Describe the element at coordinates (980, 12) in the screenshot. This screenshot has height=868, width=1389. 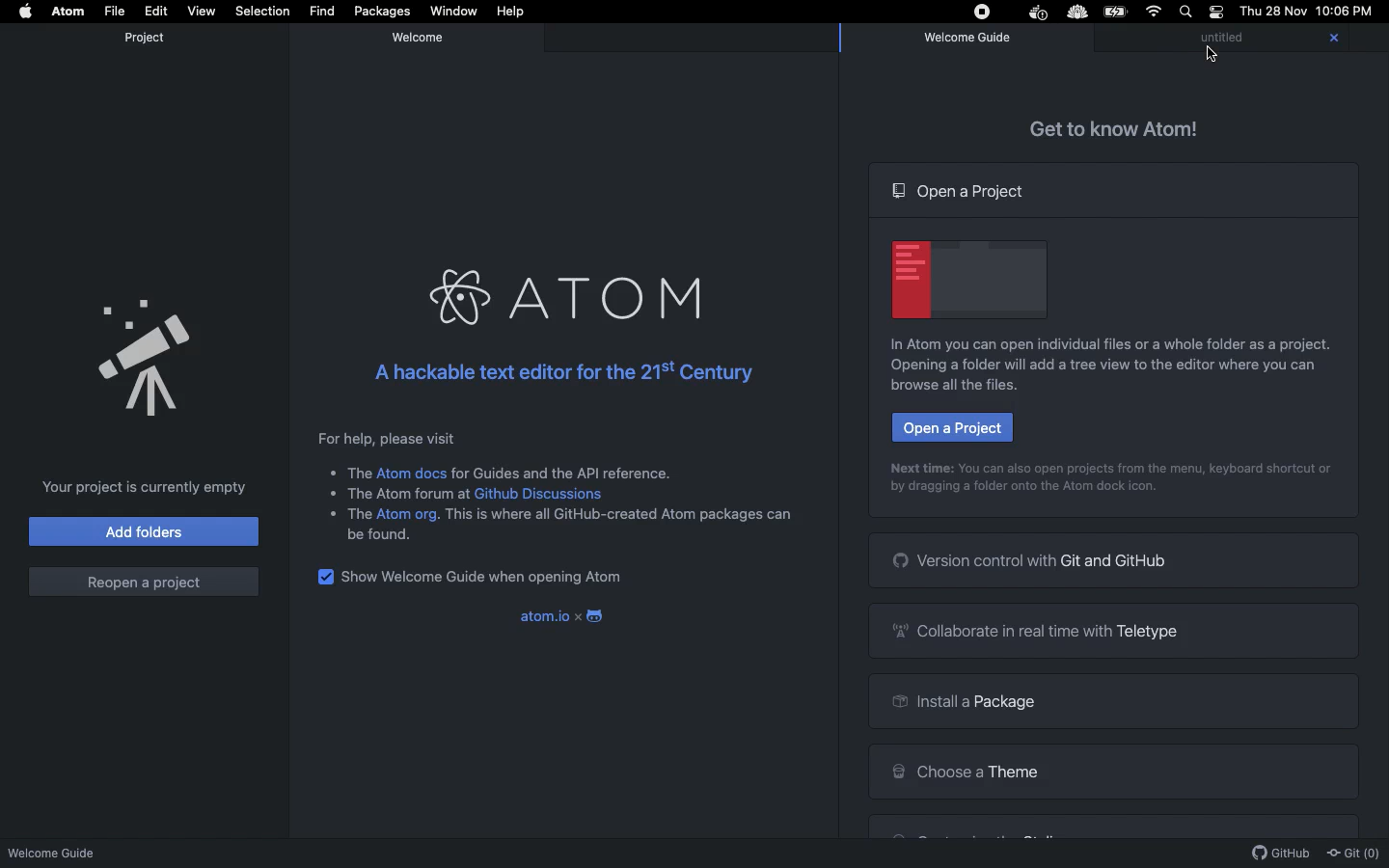
I see `stop` at that location.